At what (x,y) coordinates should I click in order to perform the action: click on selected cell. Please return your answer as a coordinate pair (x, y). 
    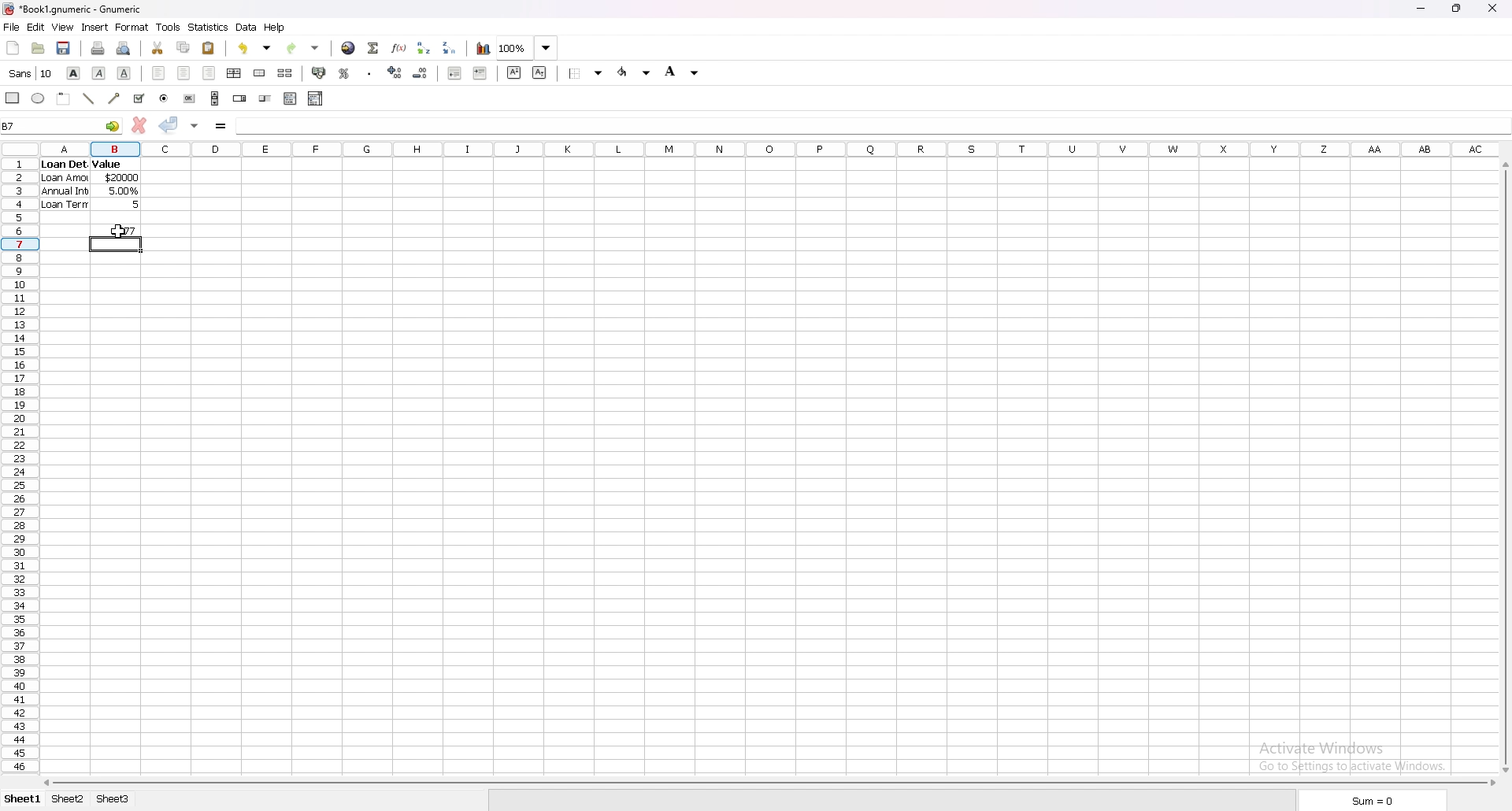
    Looking at the image, I should click on (61, 125).